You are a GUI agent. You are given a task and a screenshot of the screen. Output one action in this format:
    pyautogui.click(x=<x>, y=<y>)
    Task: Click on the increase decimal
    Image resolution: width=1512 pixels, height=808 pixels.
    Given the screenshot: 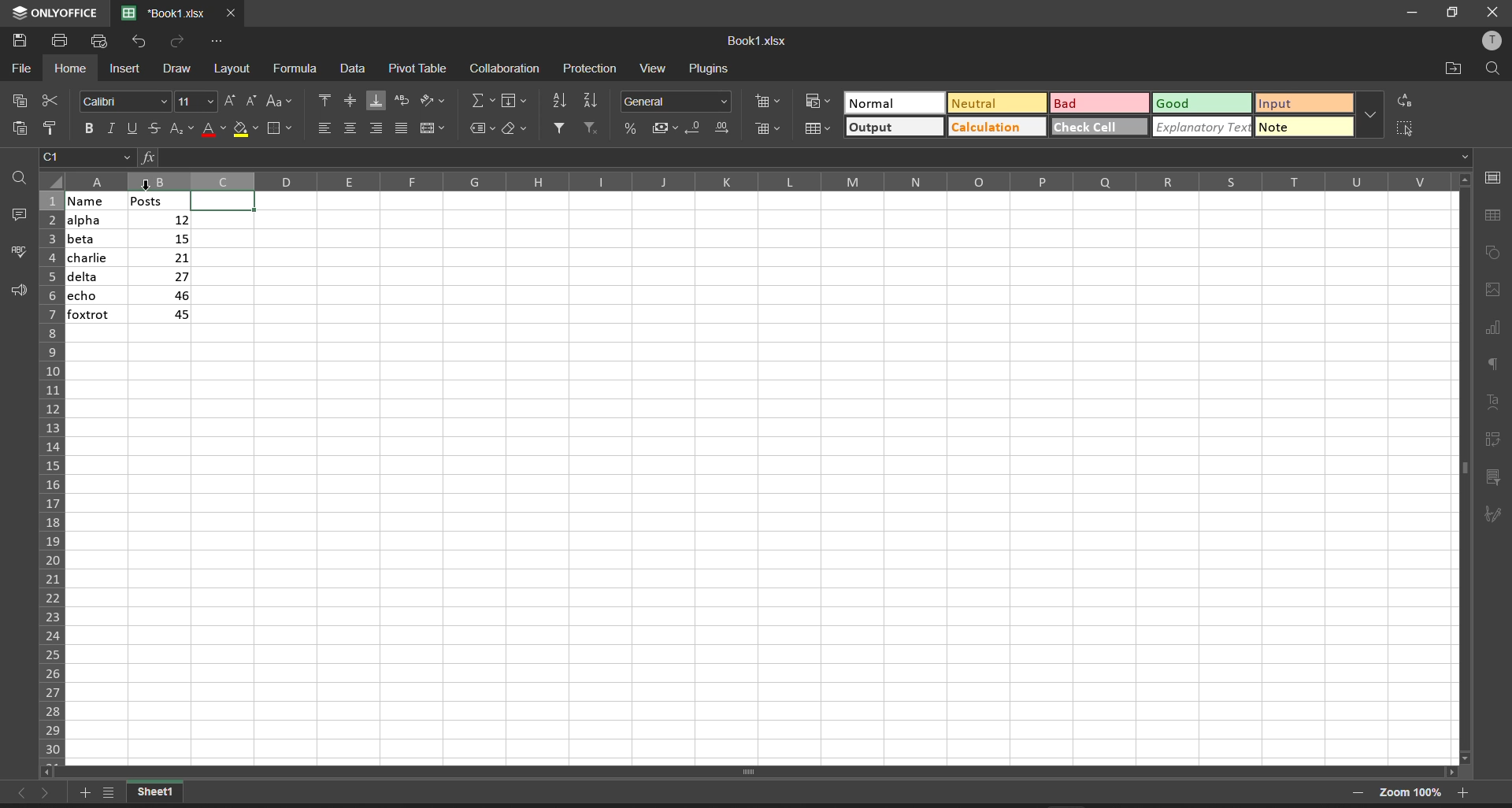 What is the action you would take?
    pyautogui.click(x=721, y=128)
    